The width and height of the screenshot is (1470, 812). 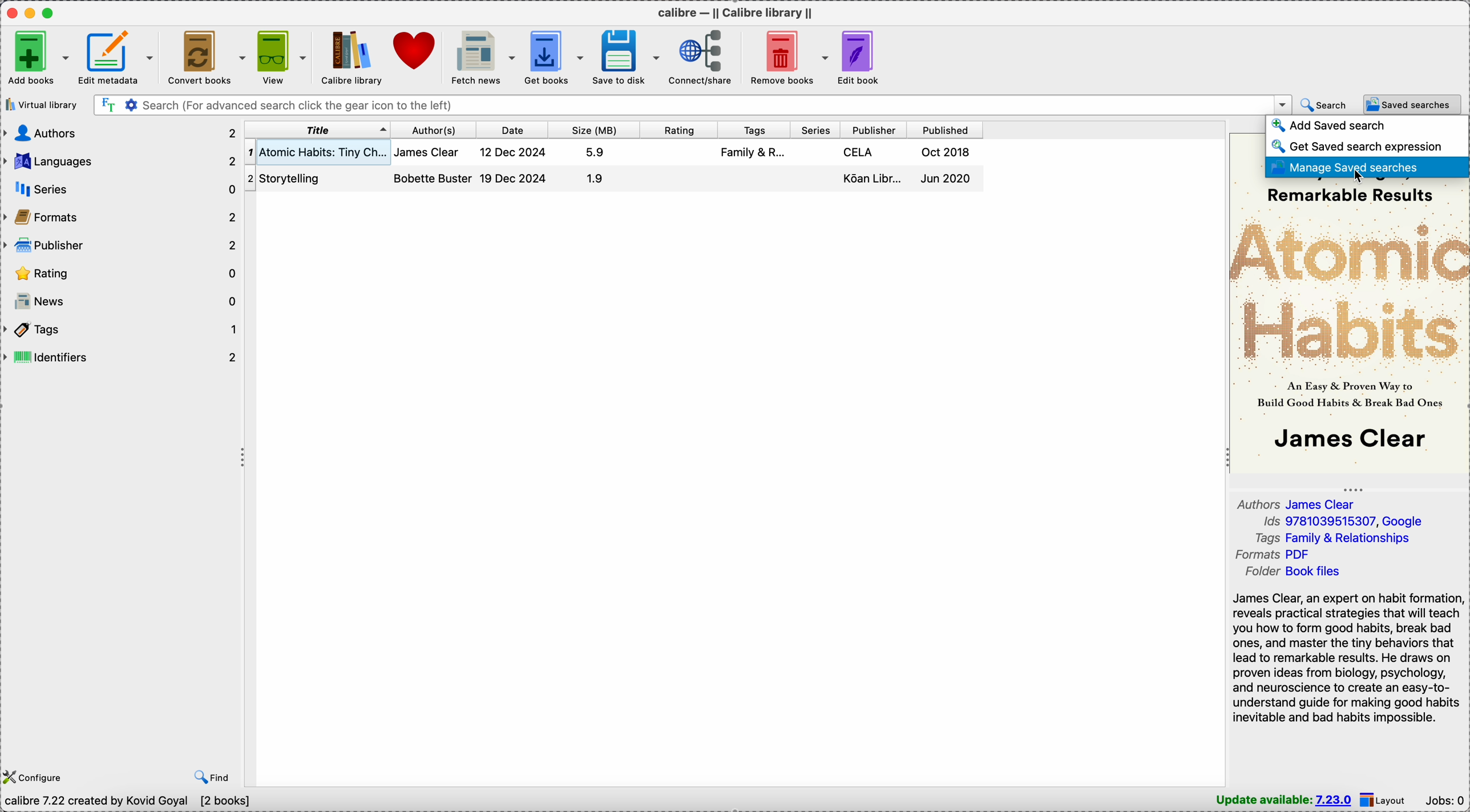 What do you see at coordinates (38, 58) in the screenshot?
I see `add books` at bounding box center [38, 58].